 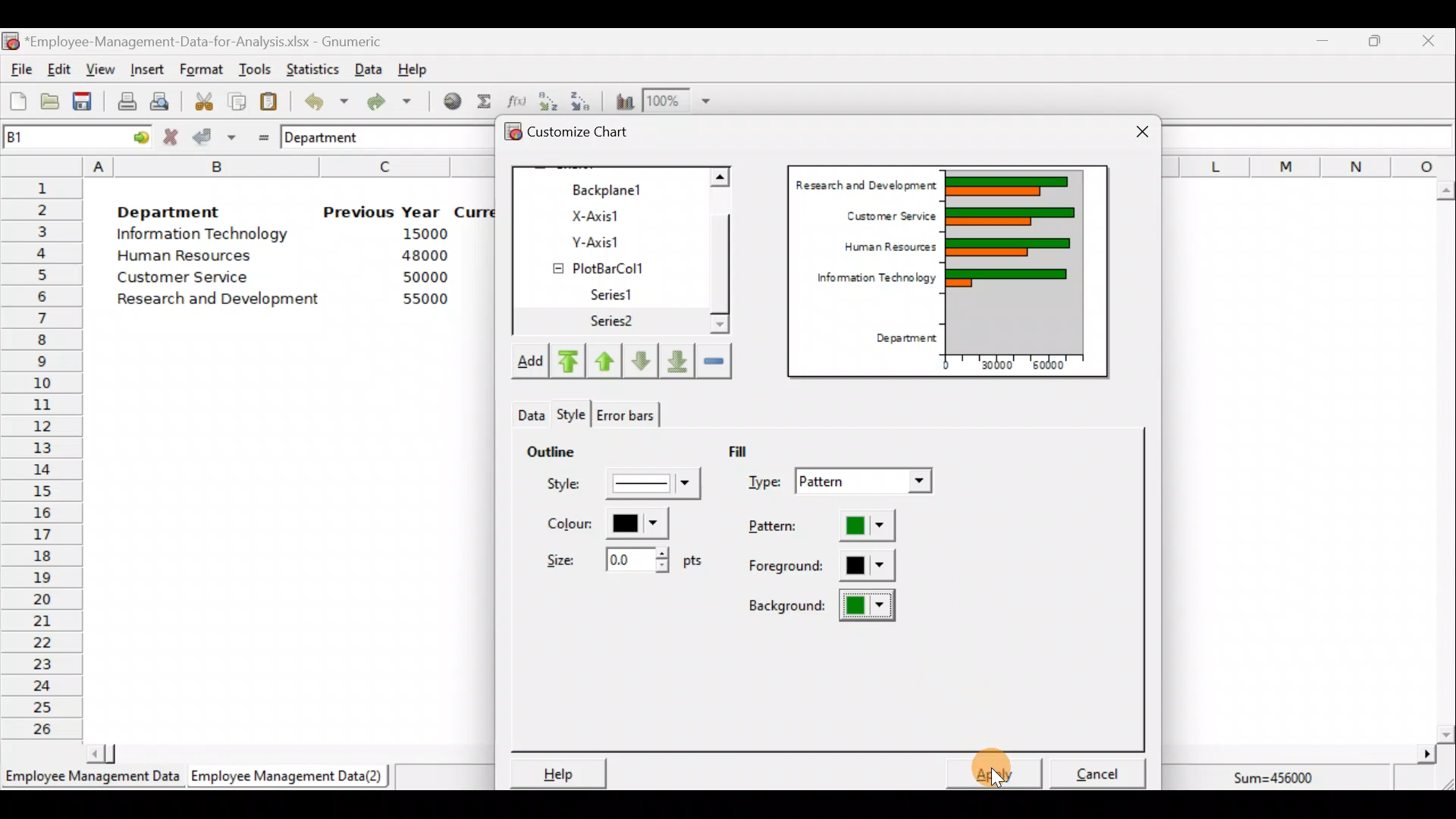 I want to click on 15000, so click(x=419, y=233).